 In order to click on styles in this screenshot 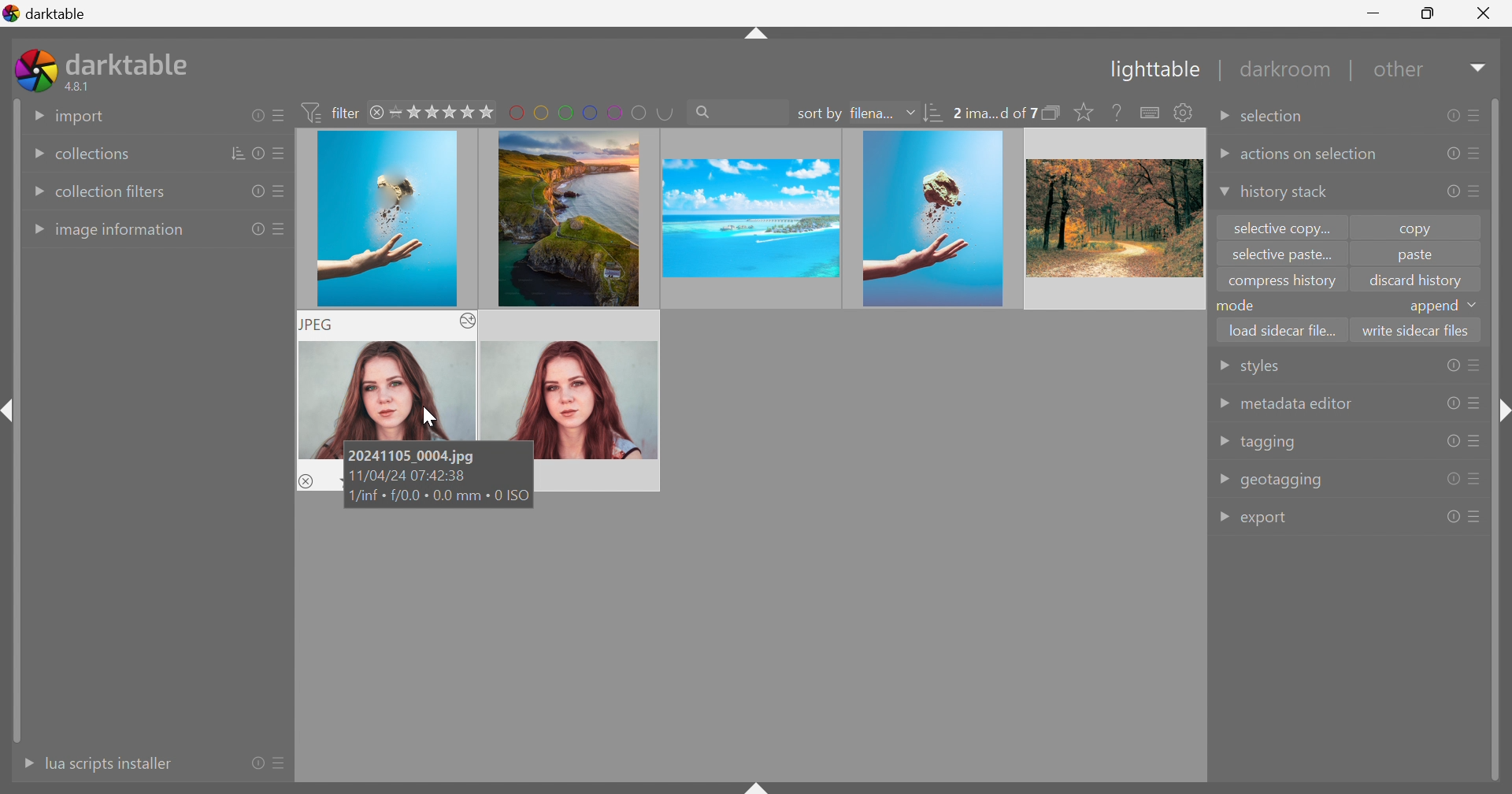, I will do `click(1258, 369)`.